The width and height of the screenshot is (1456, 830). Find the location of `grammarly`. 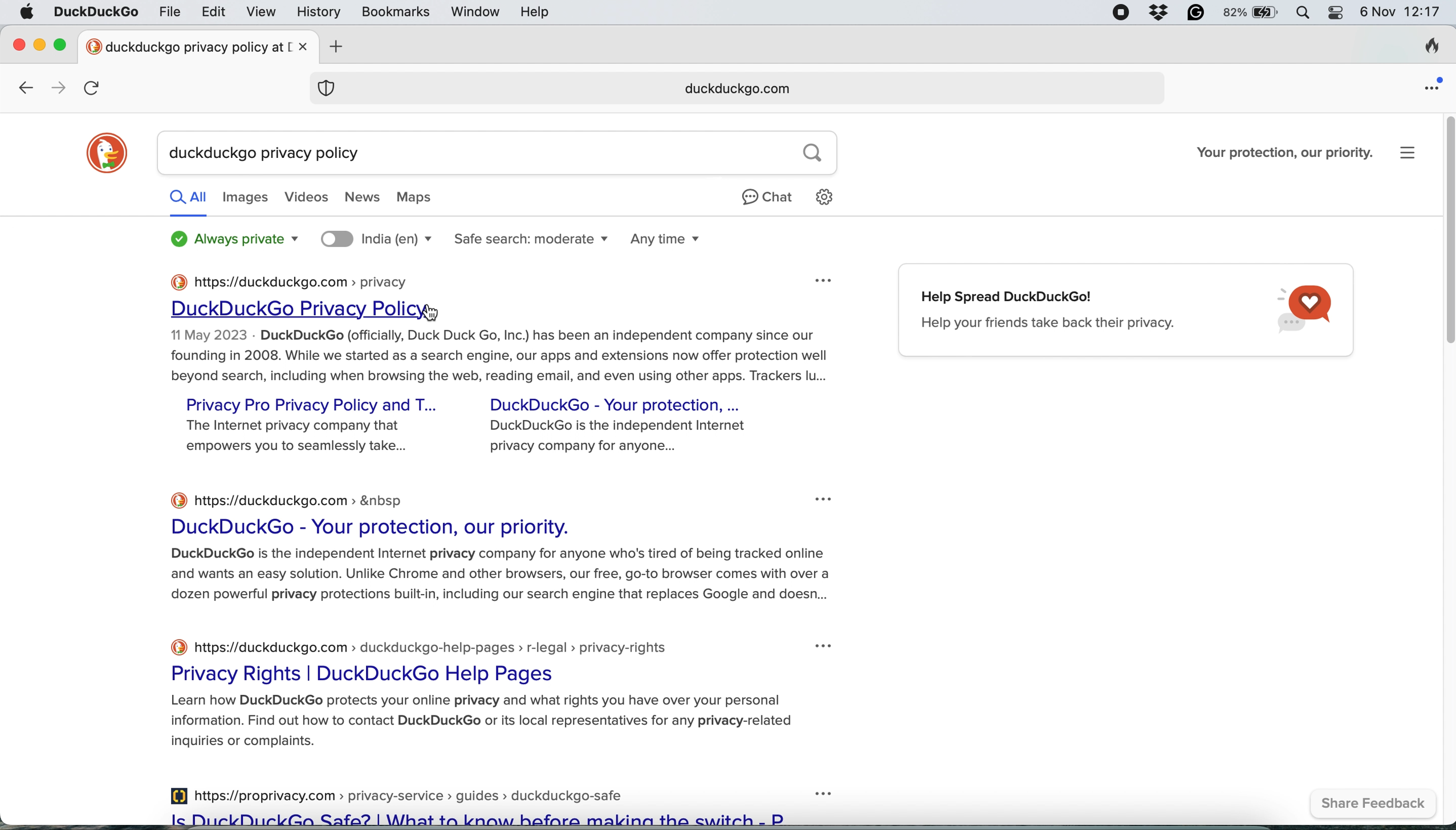

grammarly is located at coordinates (1195, 14).